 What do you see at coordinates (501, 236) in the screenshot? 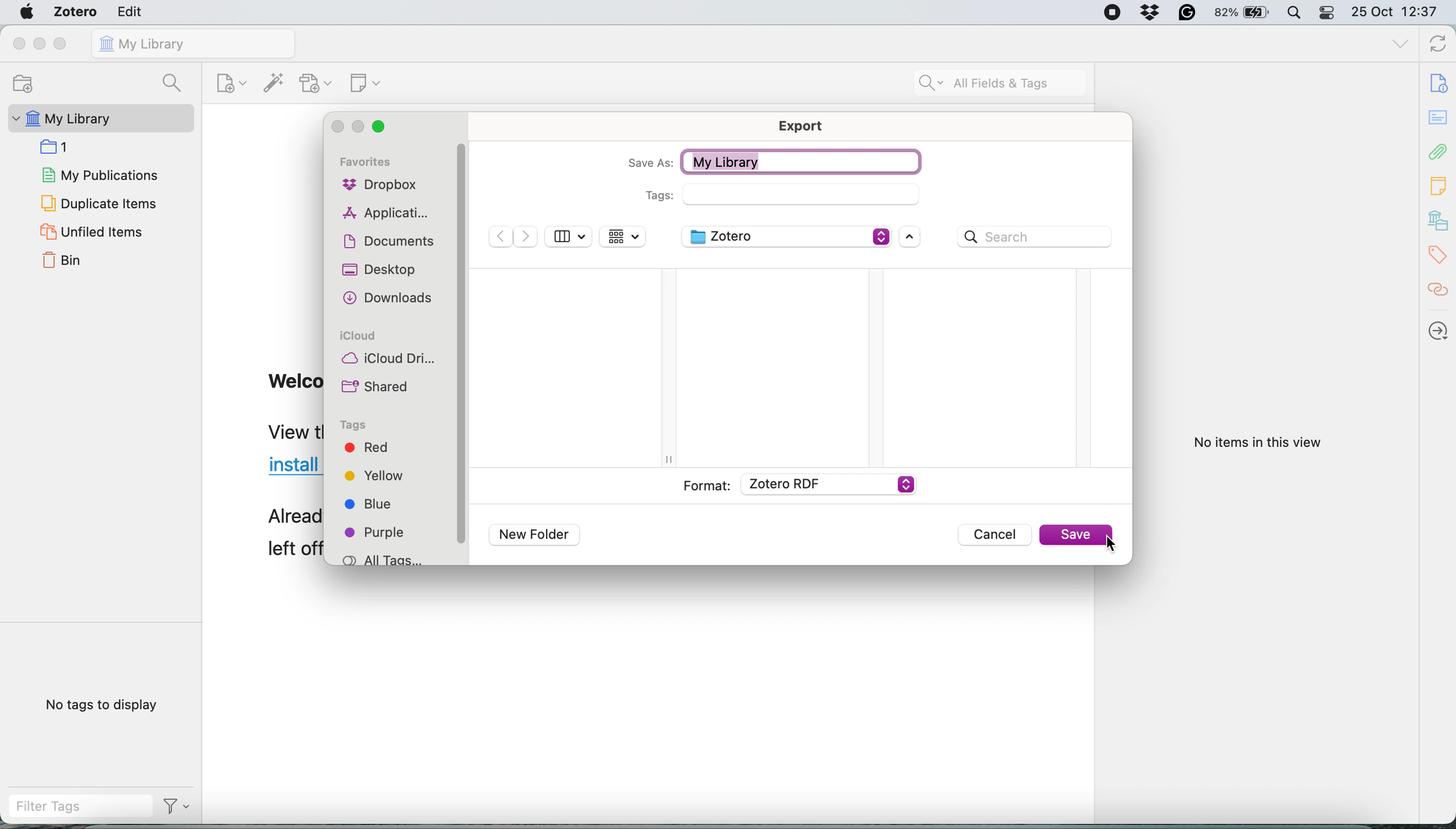
I see `Back` at bounding box center [501, 236].